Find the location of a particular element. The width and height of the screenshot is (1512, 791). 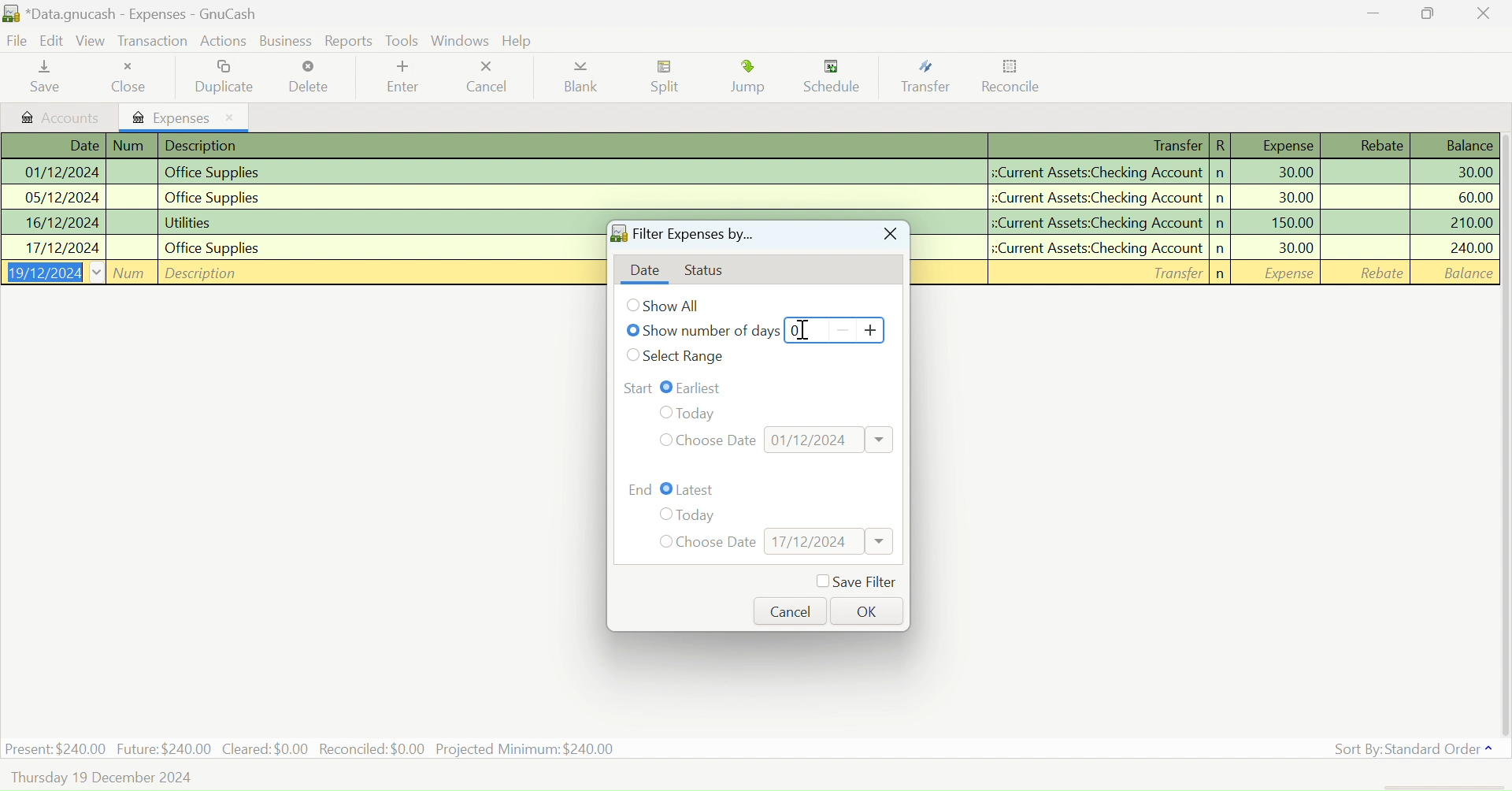

Checkbox is located at coordinates (667, 387).